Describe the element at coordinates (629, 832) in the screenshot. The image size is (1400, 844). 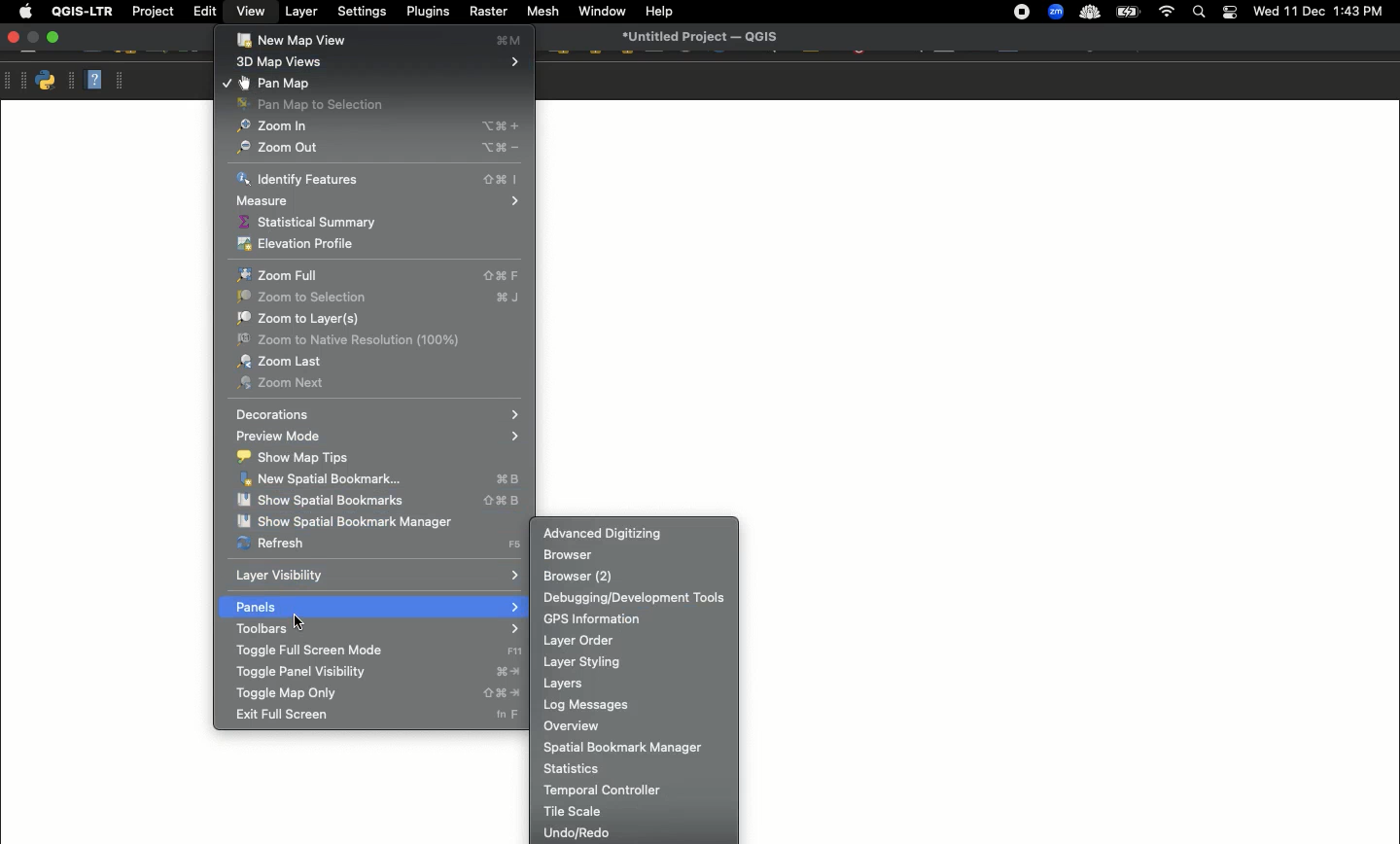
I see `Undo redo` at that location.